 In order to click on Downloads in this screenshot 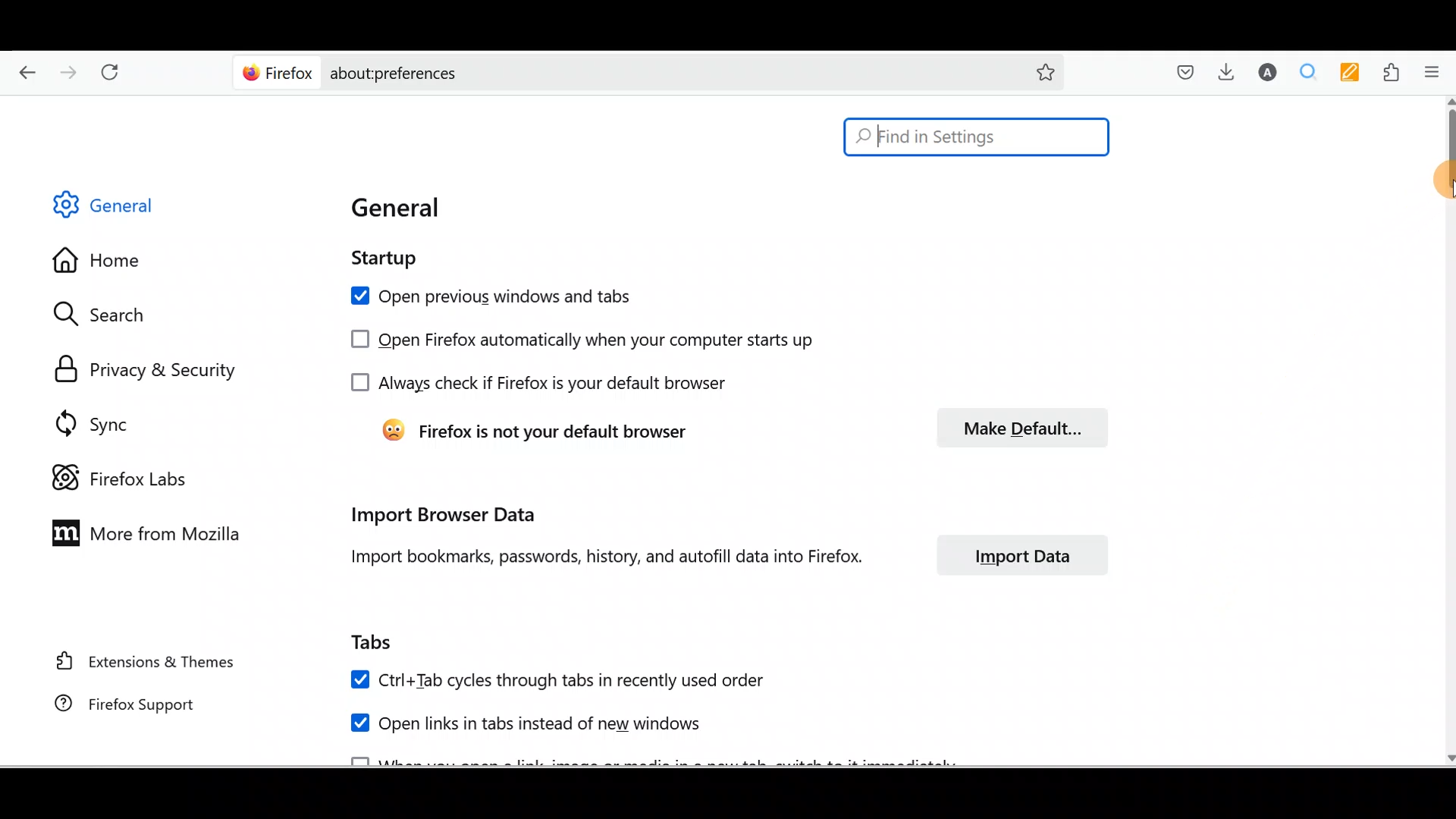, I will do `click(1222, 71)`.